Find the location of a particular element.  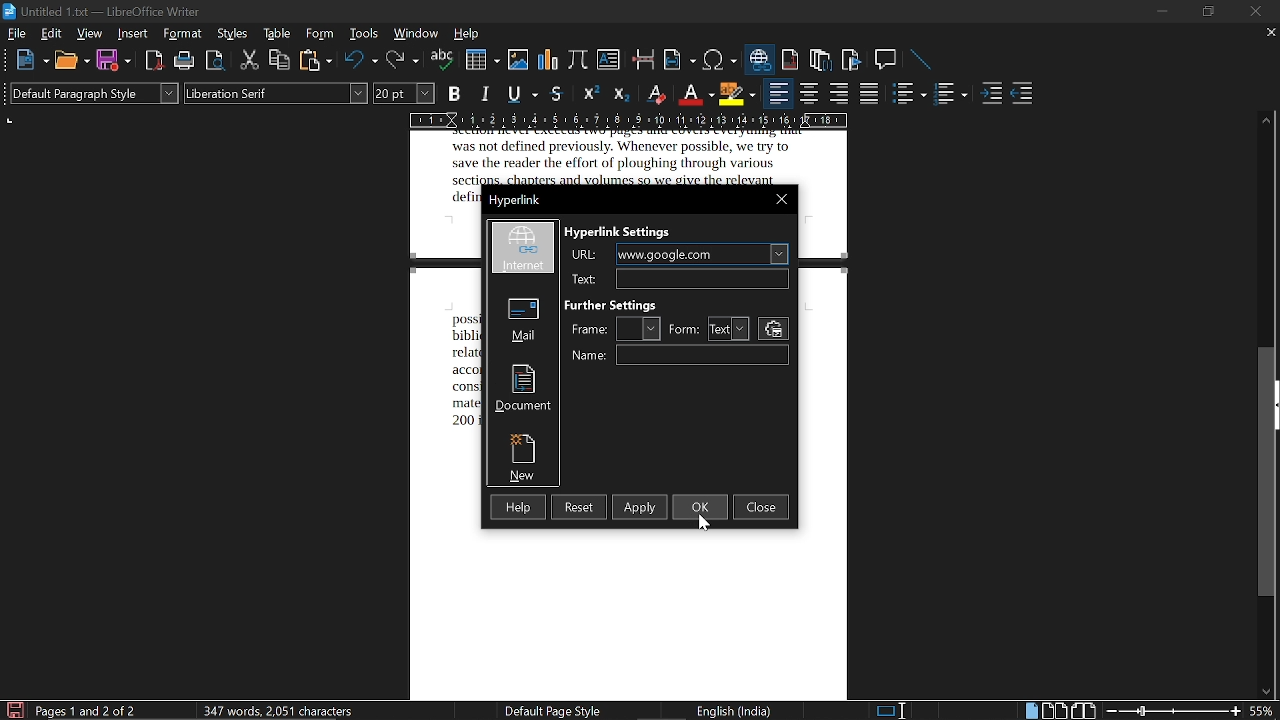

subscript is located at coordinates (624, 94).